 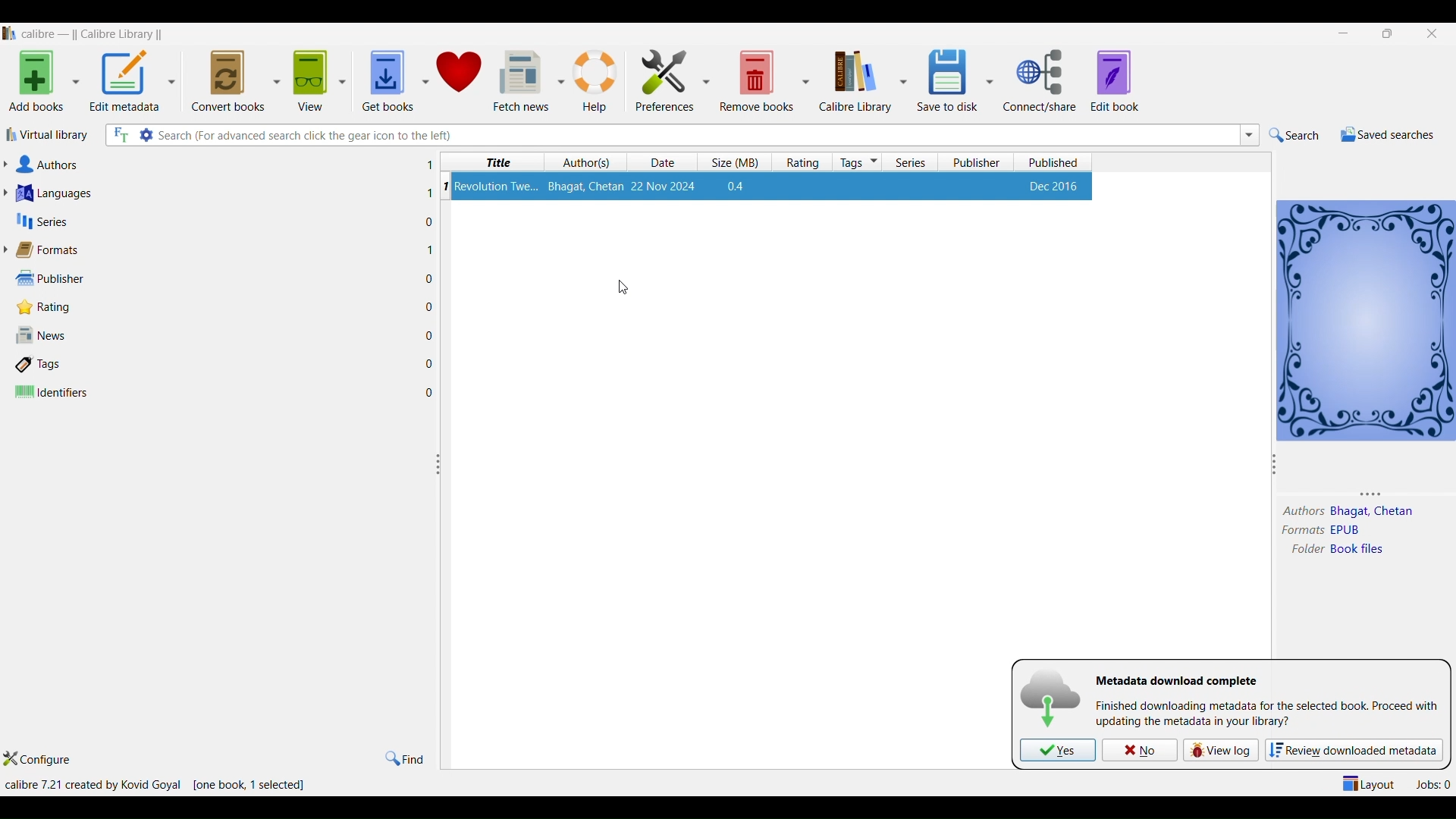 What do you see at coordinates (93, 32) in the screenshot?
I see `application name` at bounding box center [93, 32].